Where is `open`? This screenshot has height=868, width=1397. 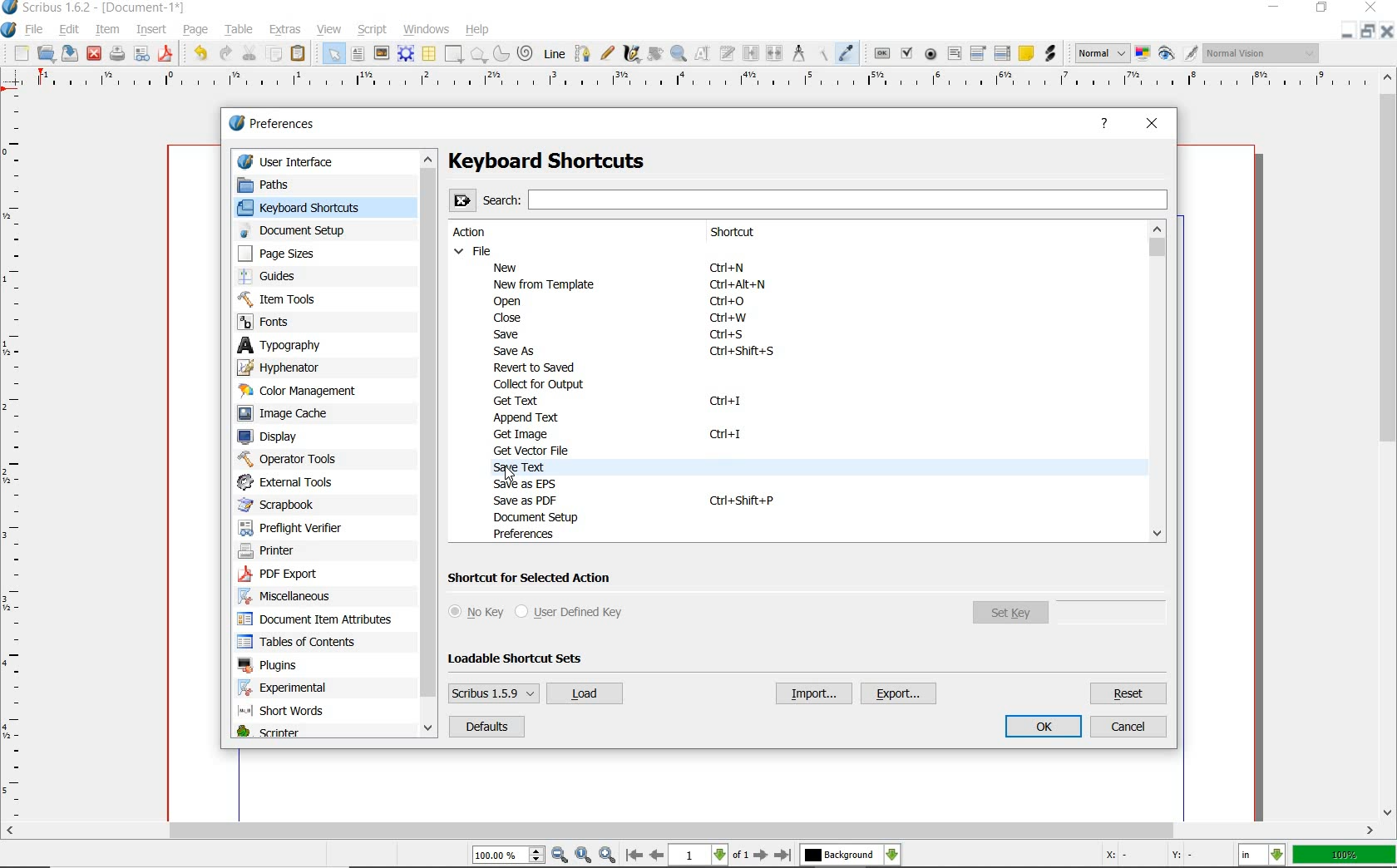 open is located at coordinates (46, 52).